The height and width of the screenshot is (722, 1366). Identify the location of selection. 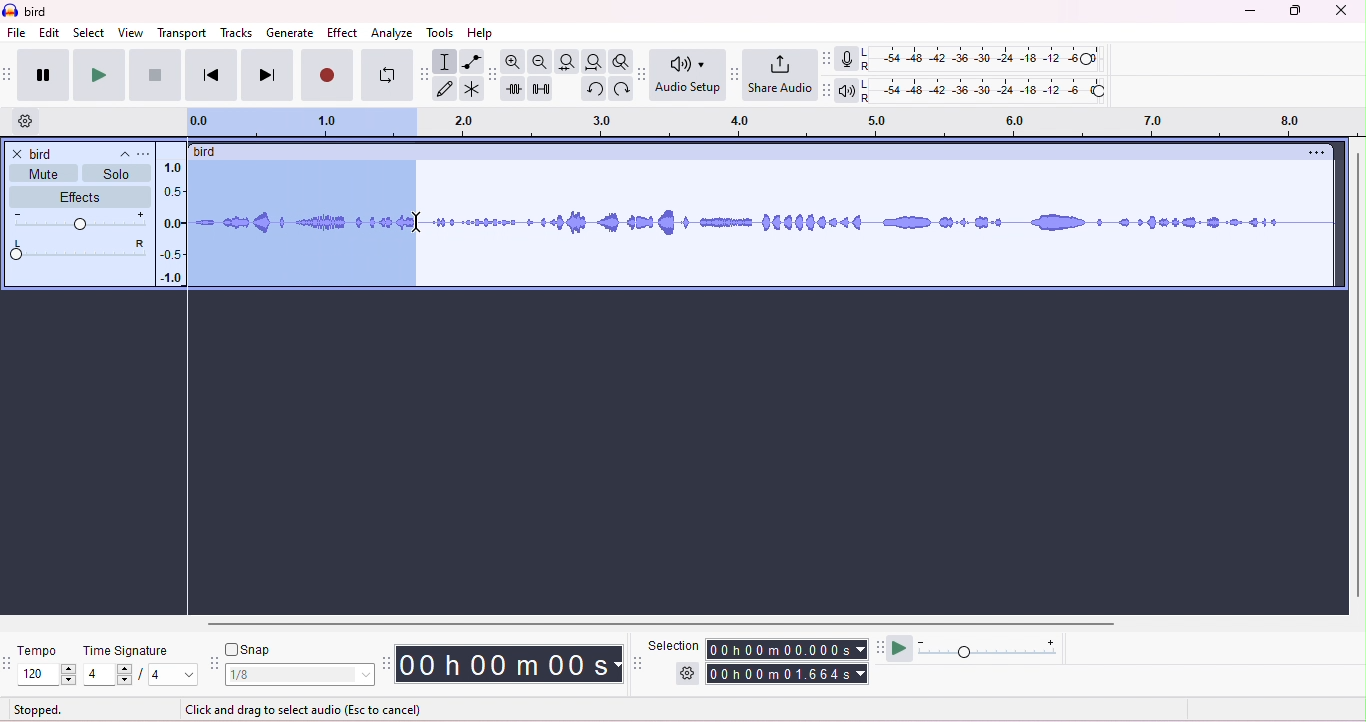
(446, 62).